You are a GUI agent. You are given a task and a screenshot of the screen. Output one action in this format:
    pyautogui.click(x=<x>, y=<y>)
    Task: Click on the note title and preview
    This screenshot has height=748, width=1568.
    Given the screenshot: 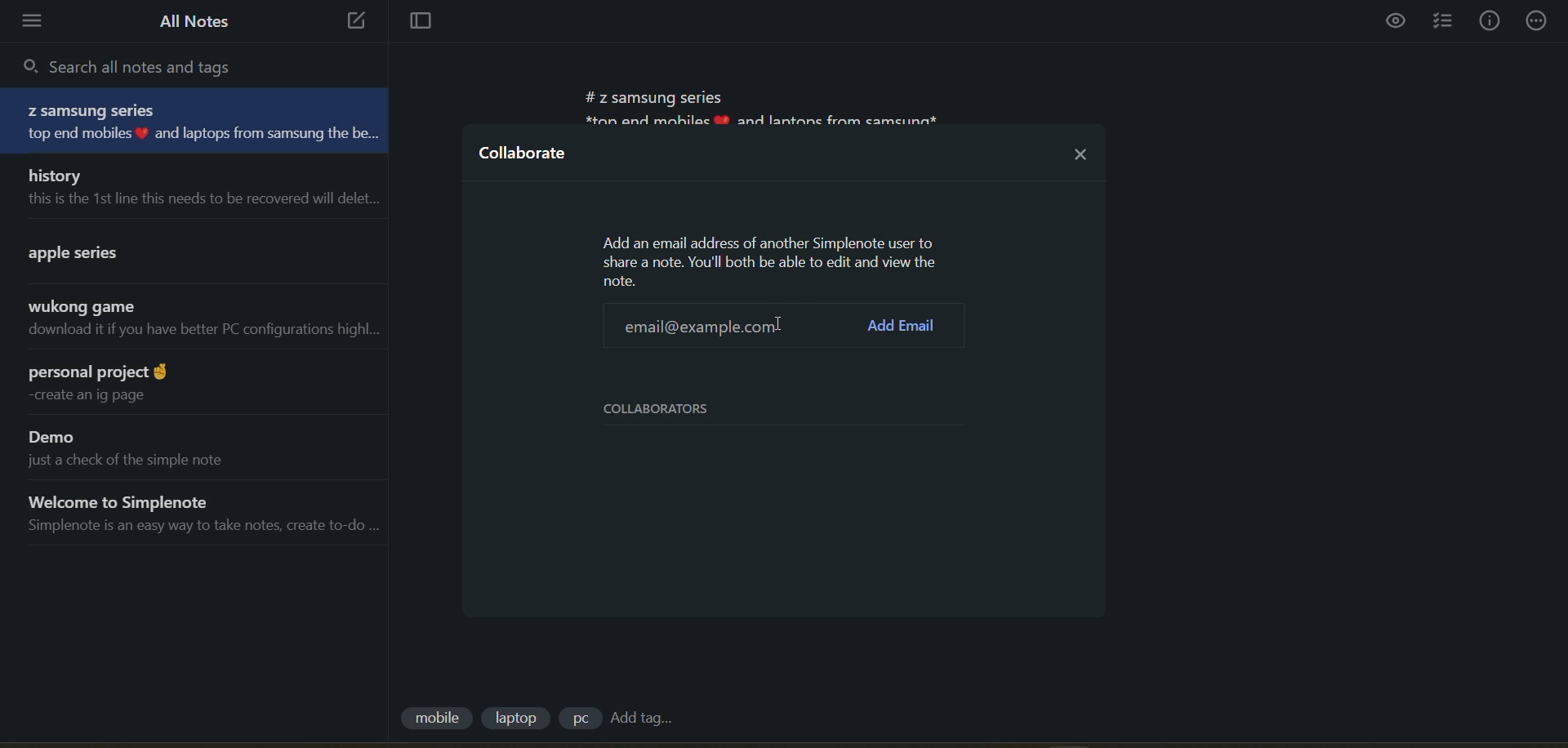 What is the action you would take?
    pyautogui.click(x=186, y=446)
    